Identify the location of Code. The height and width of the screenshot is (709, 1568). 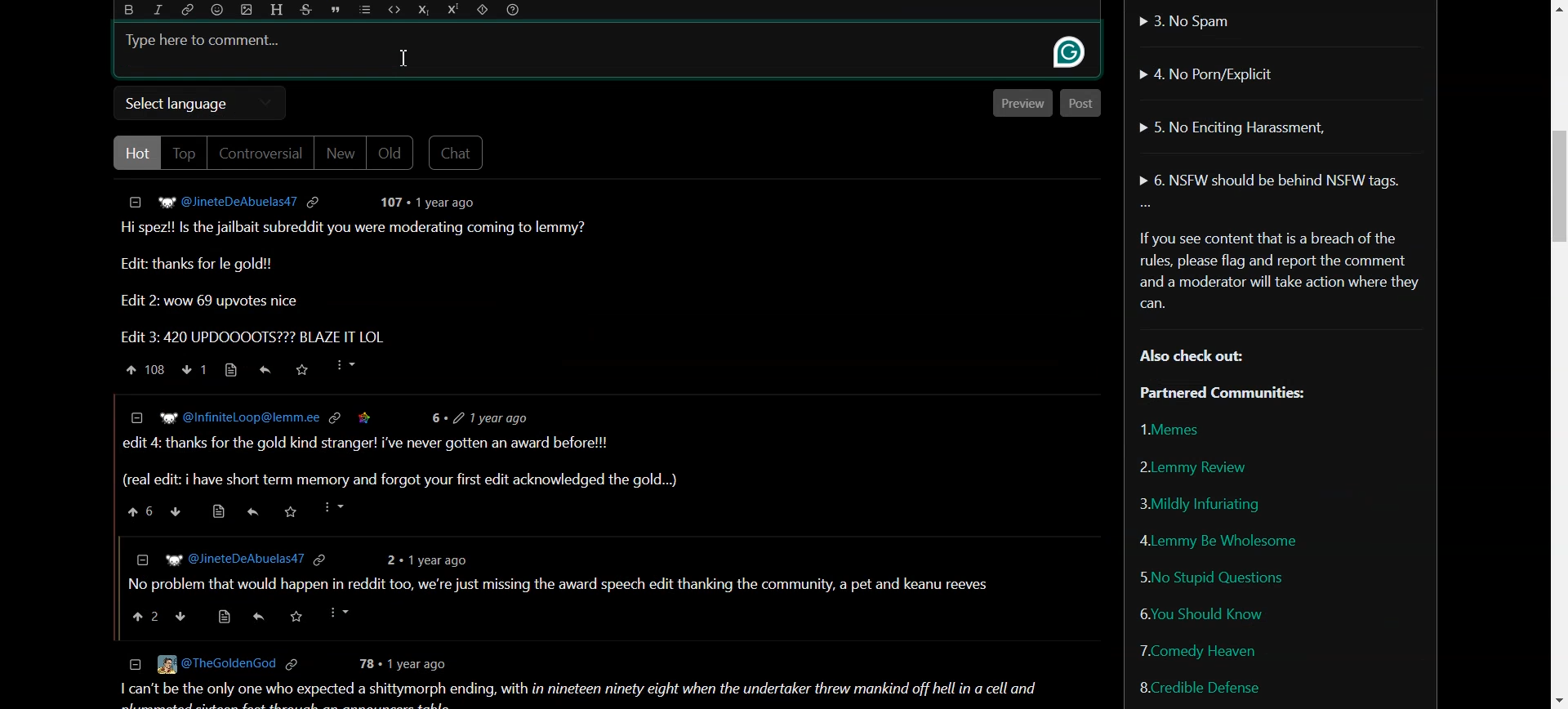
(394, 11).